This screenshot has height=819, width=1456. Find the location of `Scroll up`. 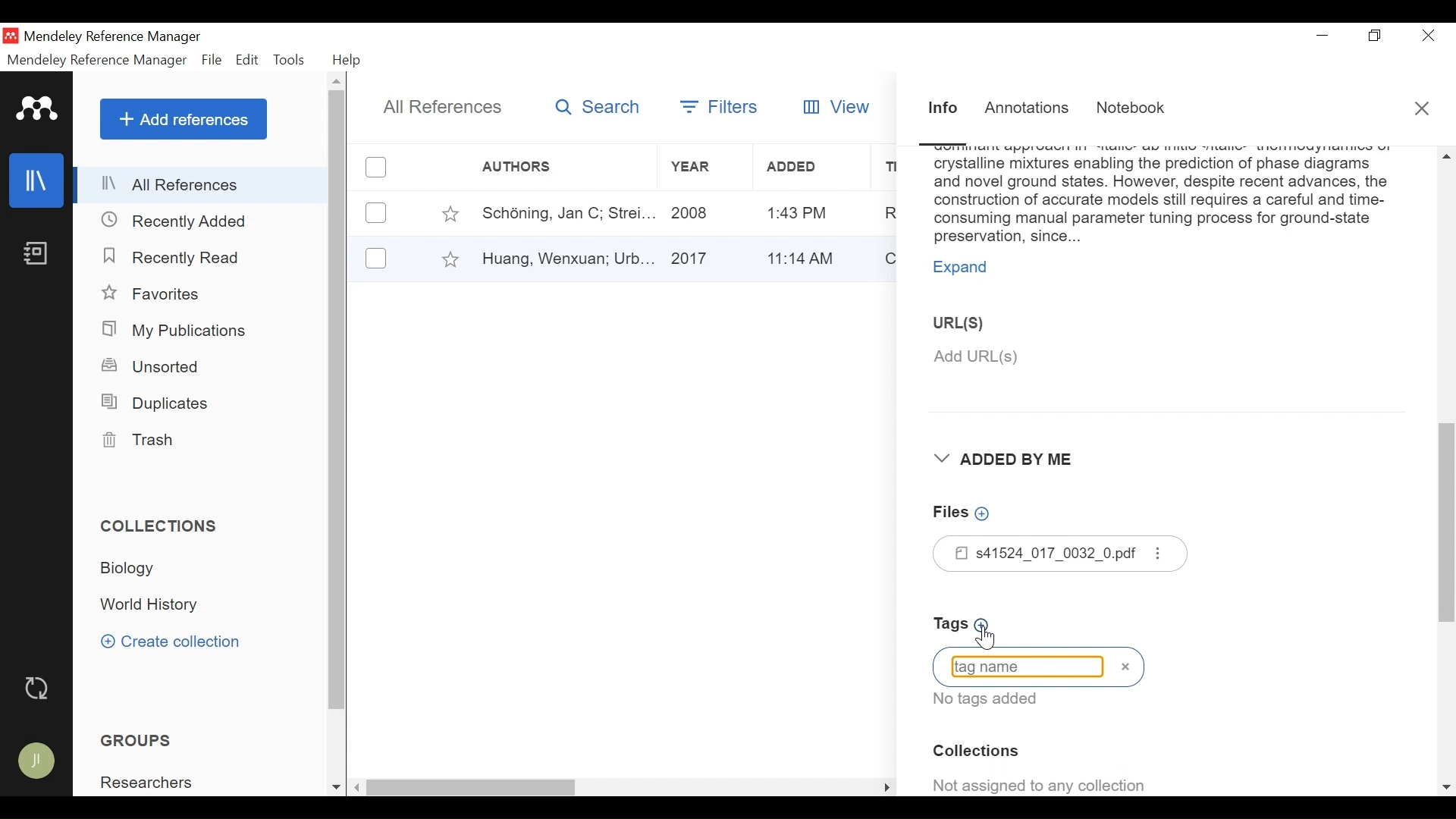

Scroll up is located at coordinates (337, 80).